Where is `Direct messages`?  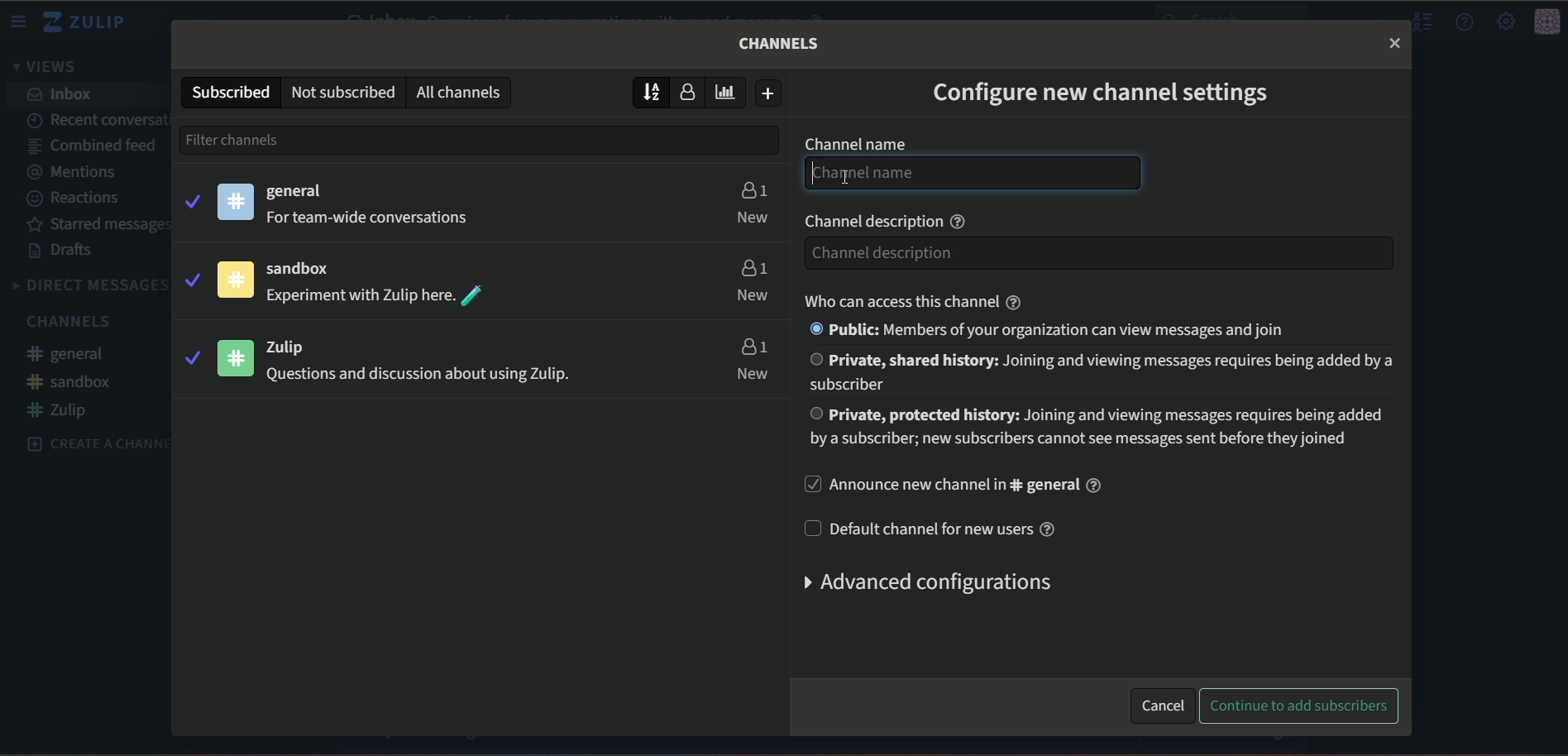 Direct messages is located at coordinates (88, 285).